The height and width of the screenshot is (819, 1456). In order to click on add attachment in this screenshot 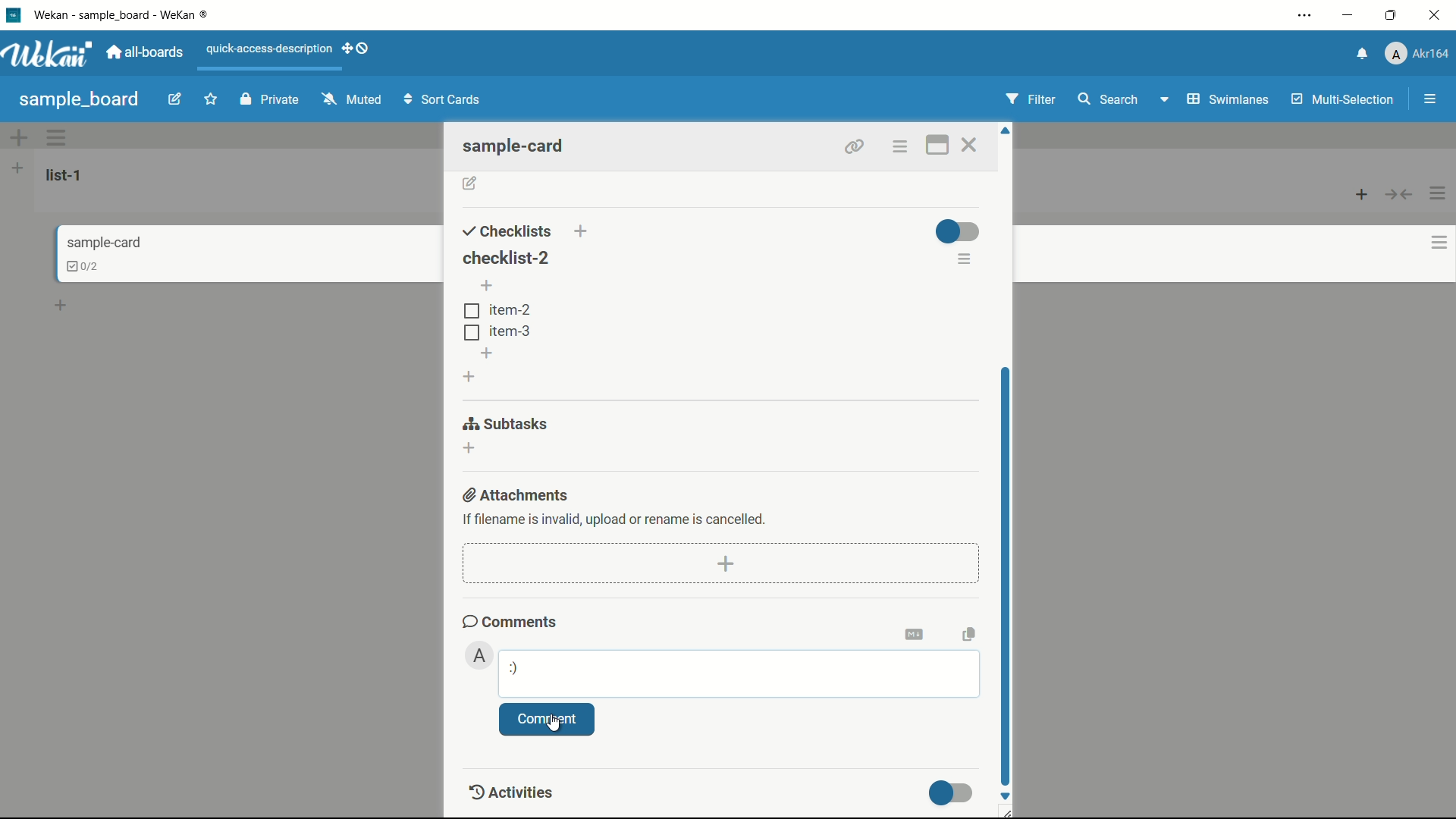, I will do `click(727, 563)`.